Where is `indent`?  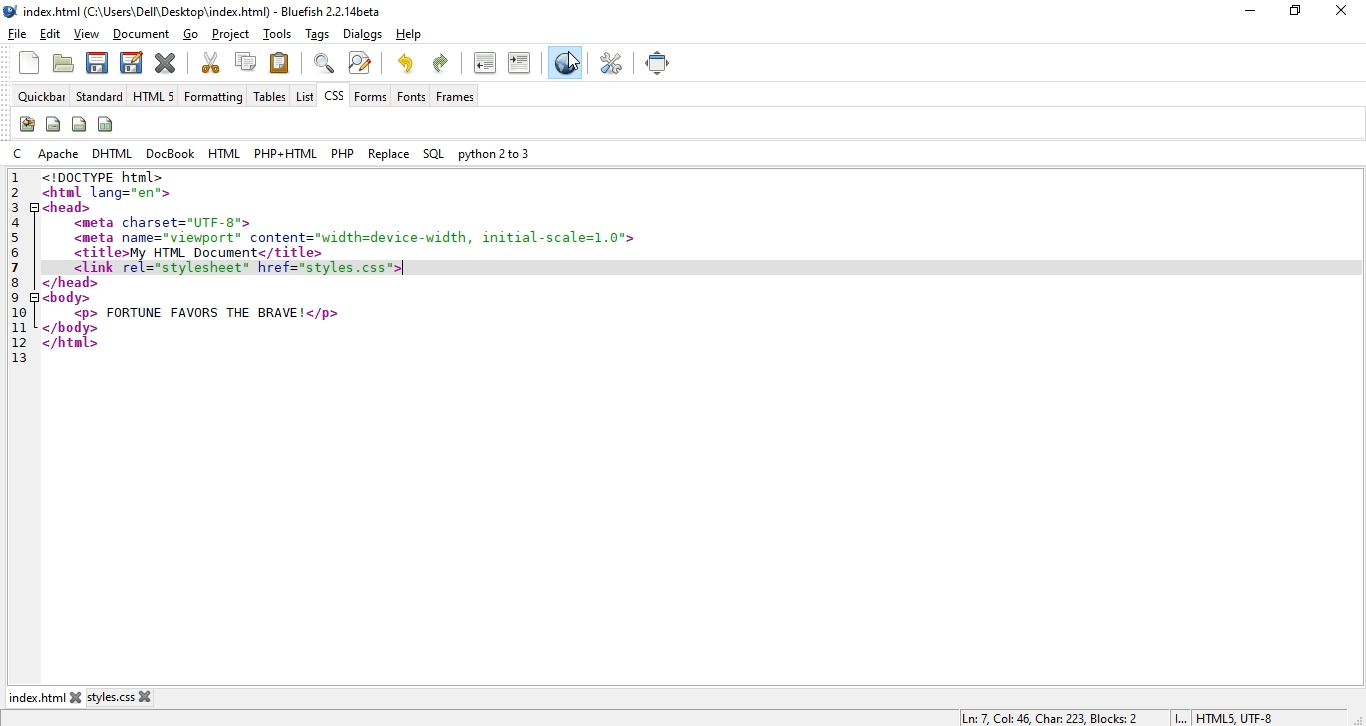
indent is located at coordinates (519, 62).